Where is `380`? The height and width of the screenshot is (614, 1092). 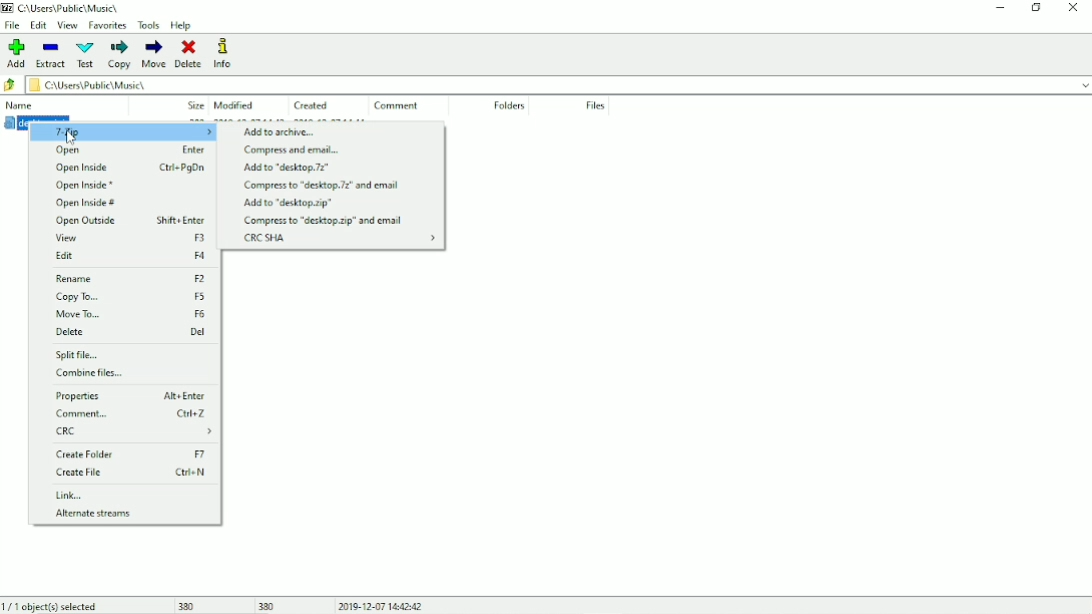 380 is located at coordinates (184, 606).